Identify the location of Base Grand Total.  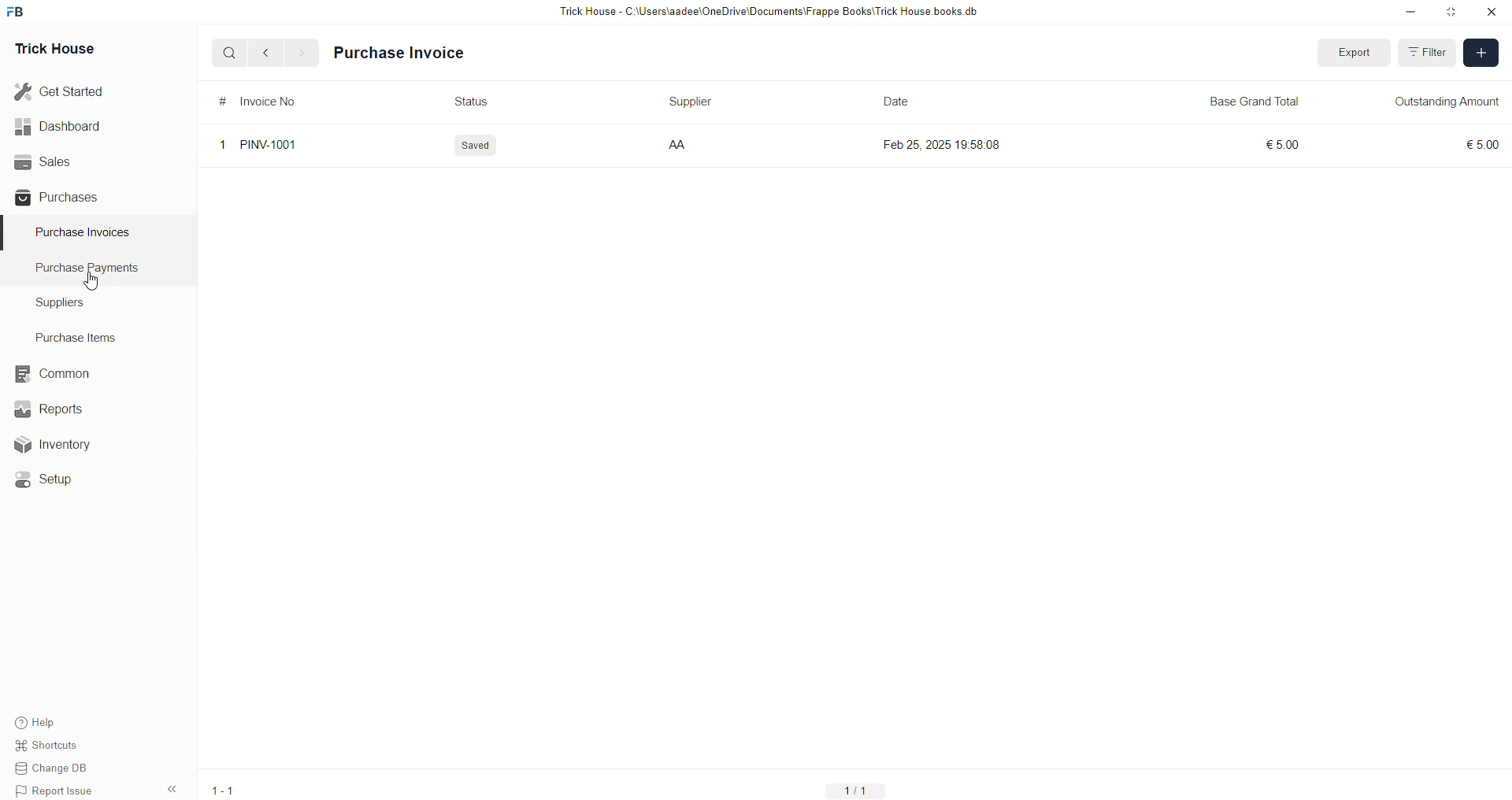
(1251, 98).